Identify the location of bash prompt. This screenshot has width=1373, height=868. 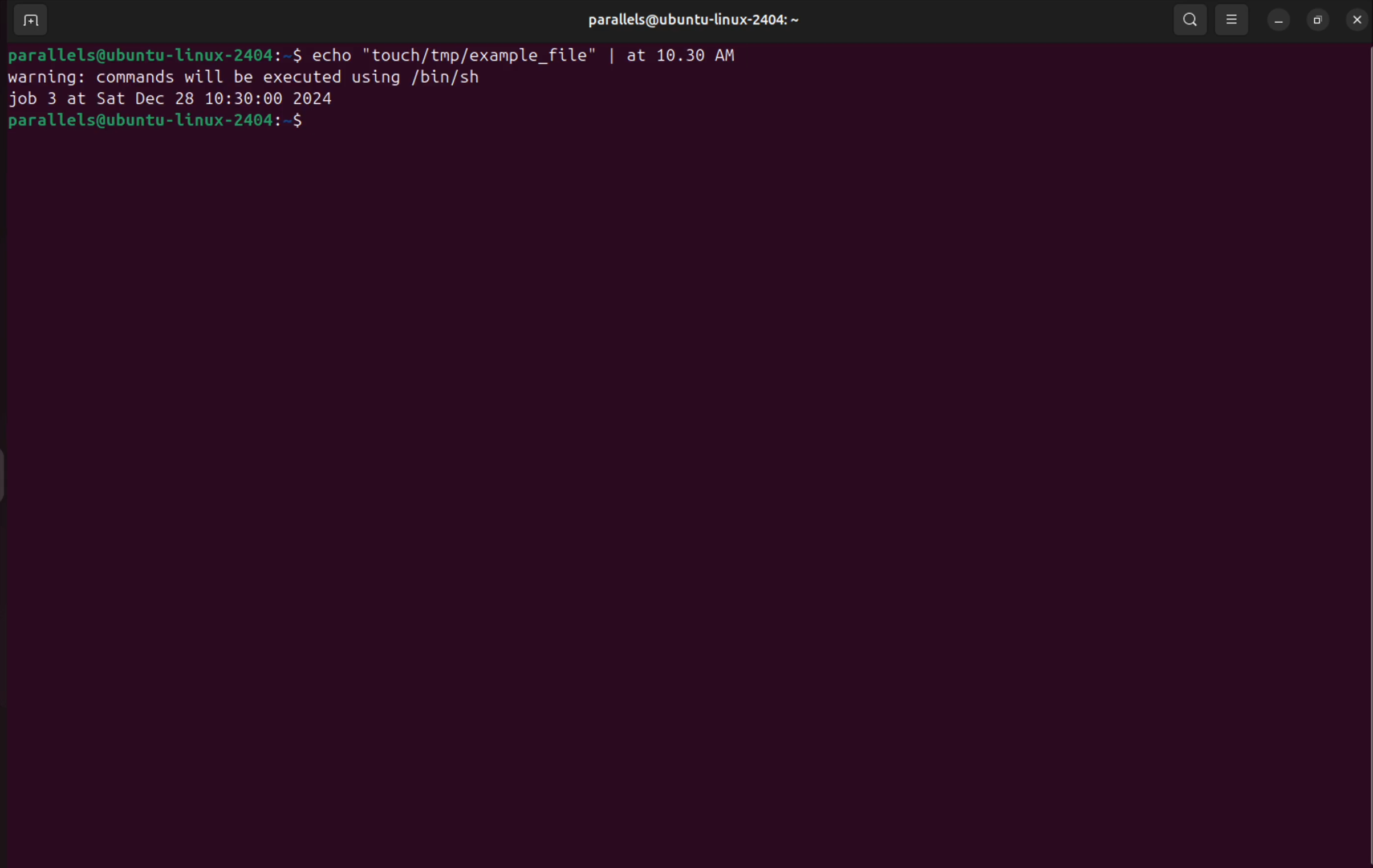
(153, 54).